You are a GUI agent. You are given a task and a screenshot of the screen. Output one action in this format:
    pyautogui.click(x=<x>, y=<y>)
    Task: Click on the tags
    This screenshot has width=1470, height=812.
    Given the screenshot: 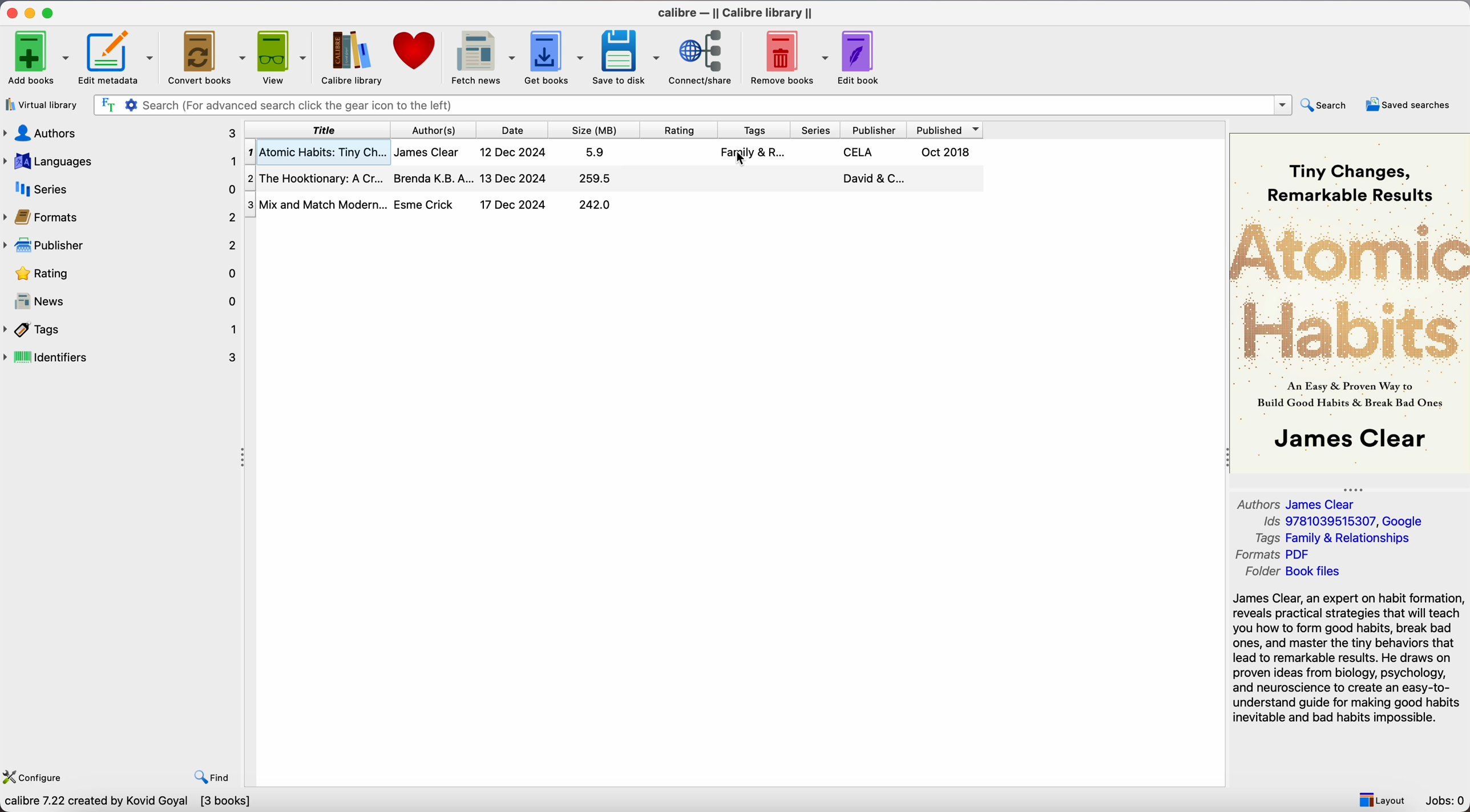 What is the action you would take?
    pyautogui.click(x=754, y=130)
    